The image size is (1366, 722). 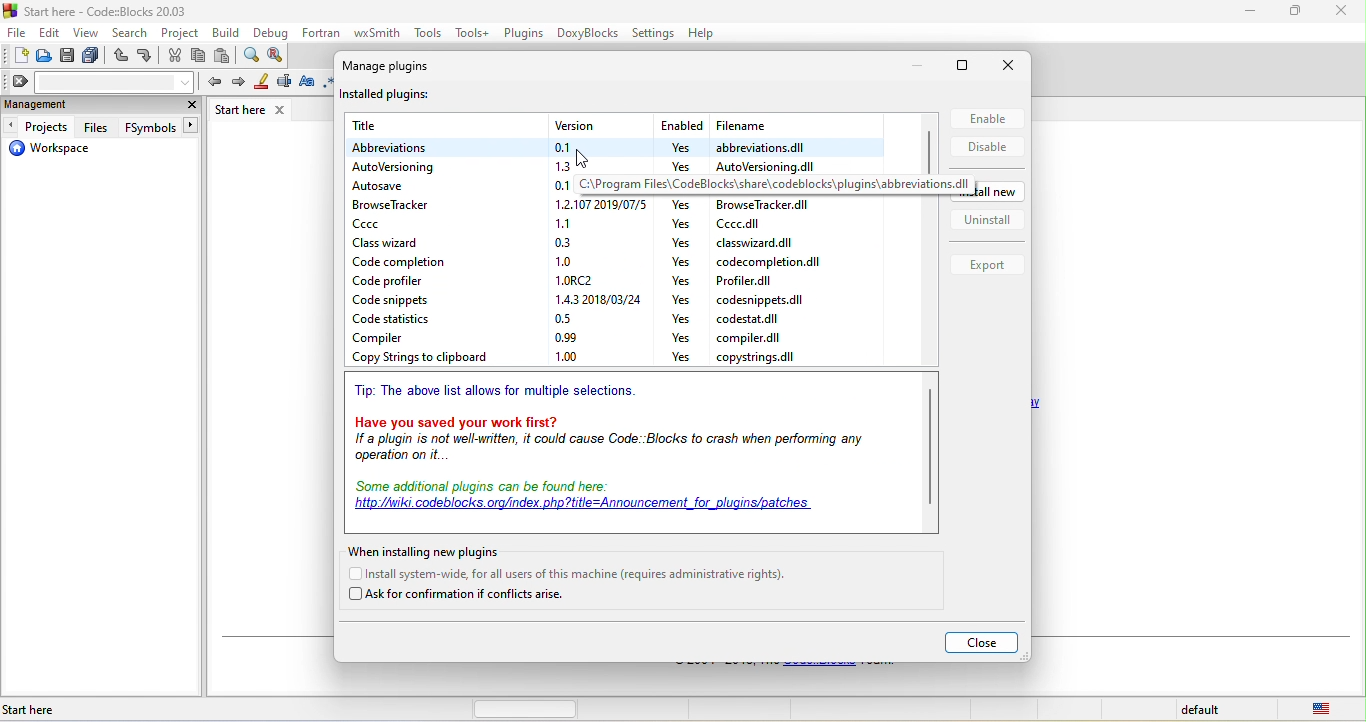 What do you see at coordinates (773, 166) in the screenshot?
I see `file` at bounding box center [773, 166].